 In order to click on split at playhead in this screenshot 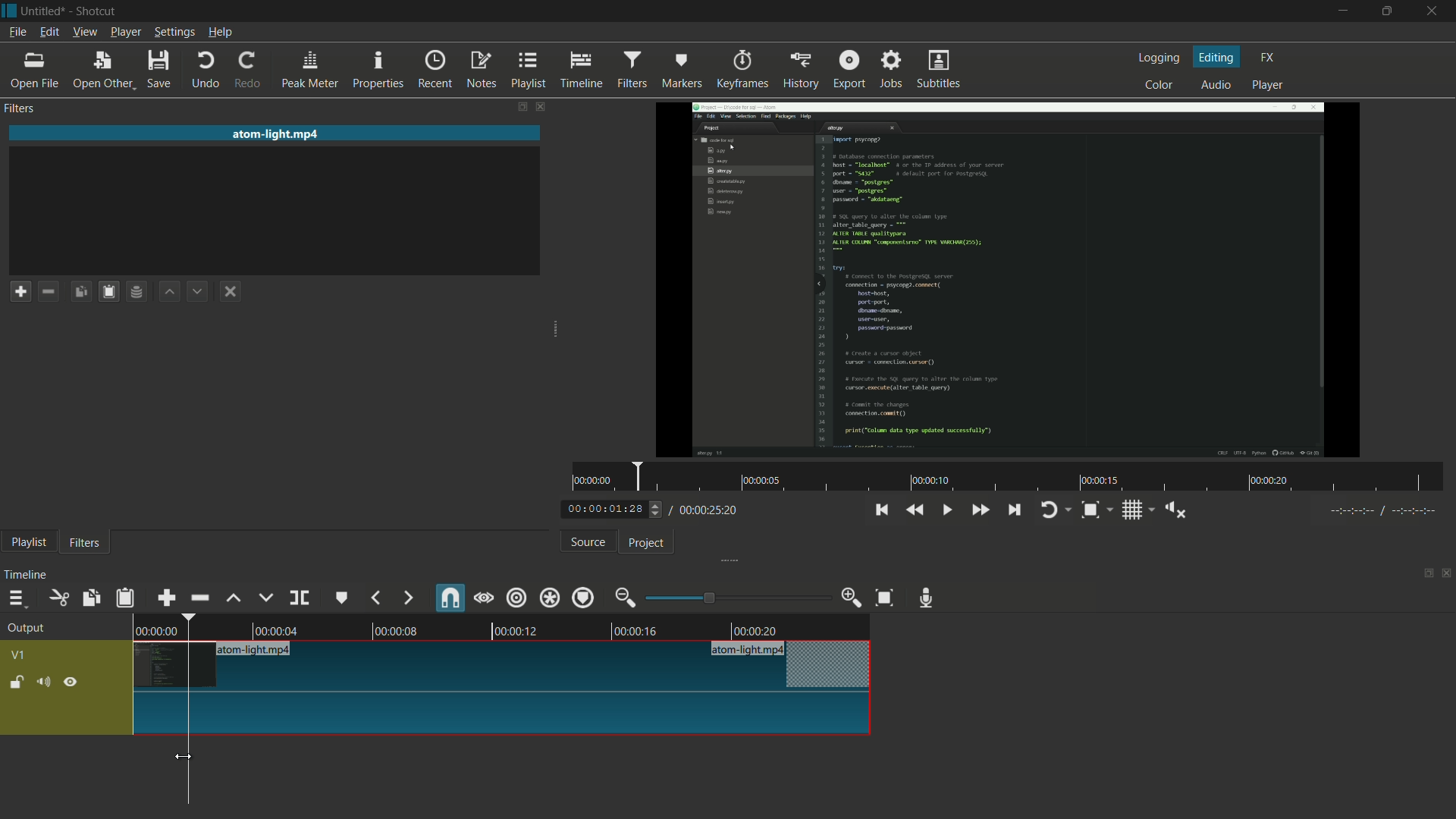, I will do `click(300, 598)`.